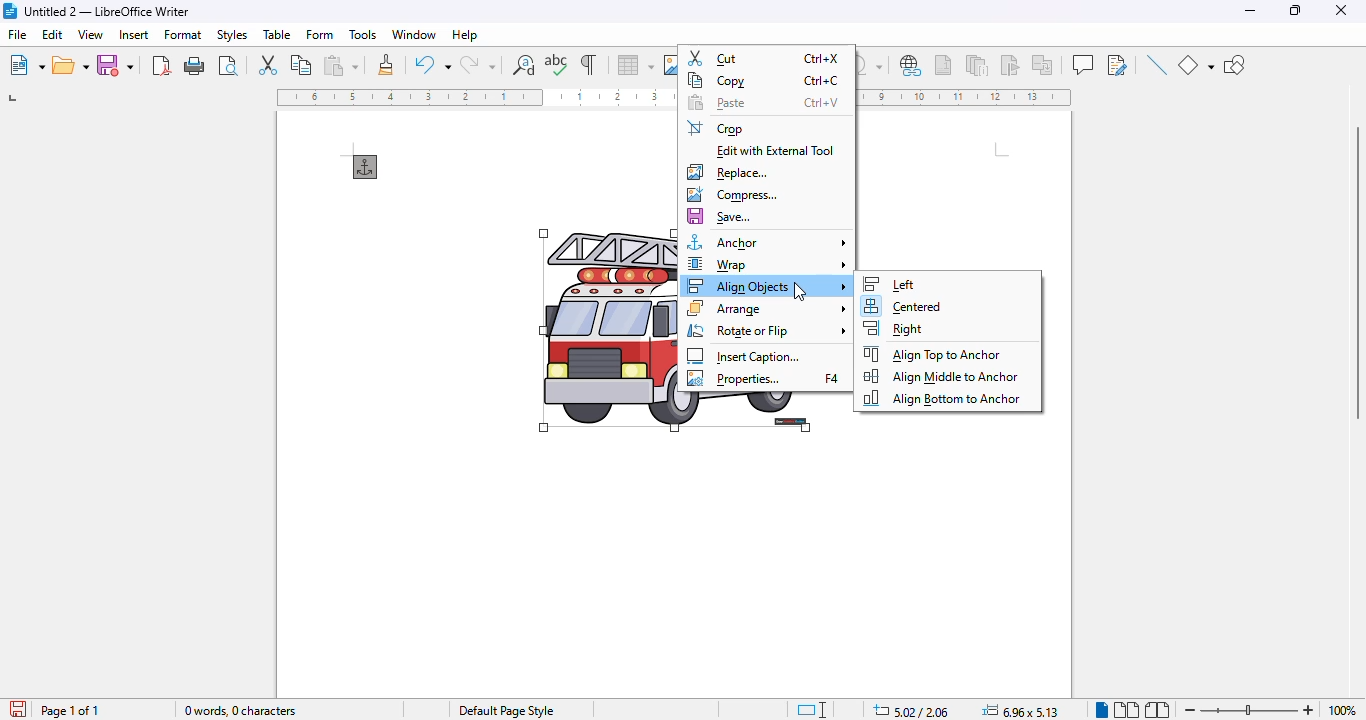 The width and height of the screenshot is (1366, 720). Describe the element at coordinates (242, 710) in the screenshot. I see `word and character count` at that location.